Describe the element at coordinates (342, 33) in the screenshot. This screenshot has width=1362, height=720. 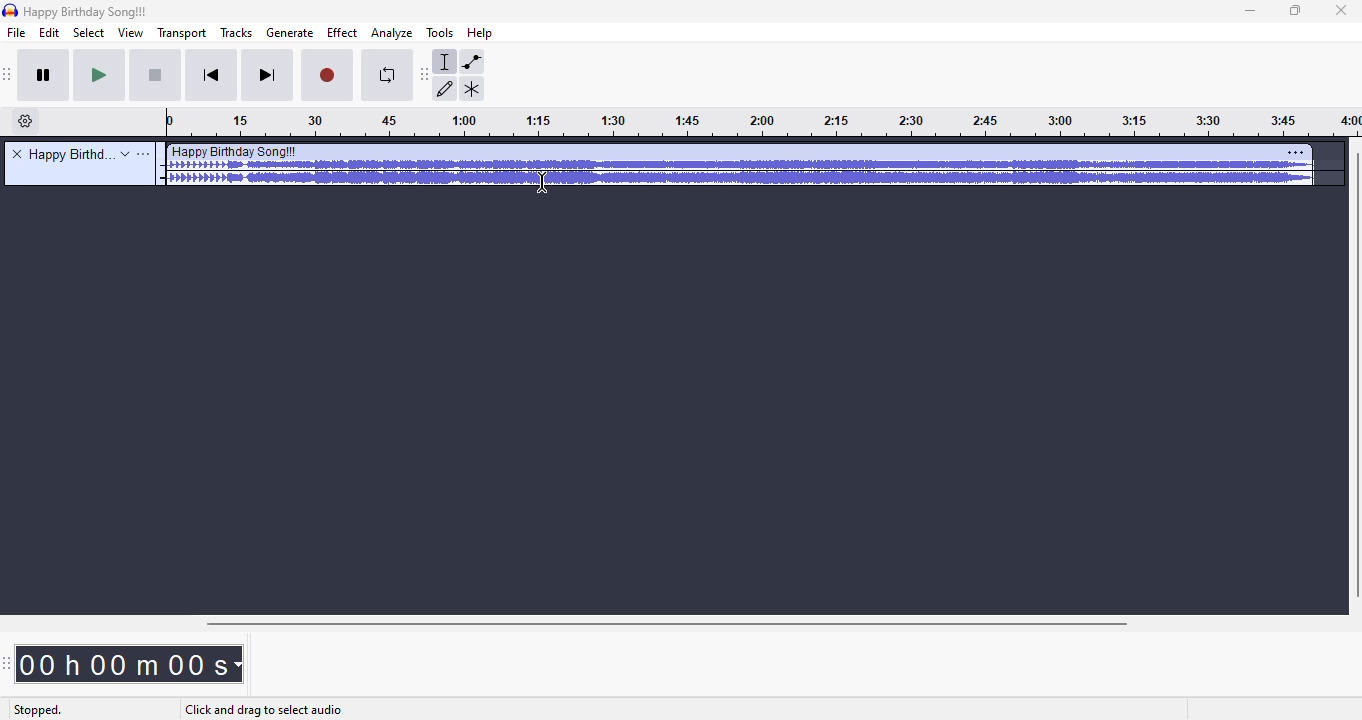
I see `effect` at that location.